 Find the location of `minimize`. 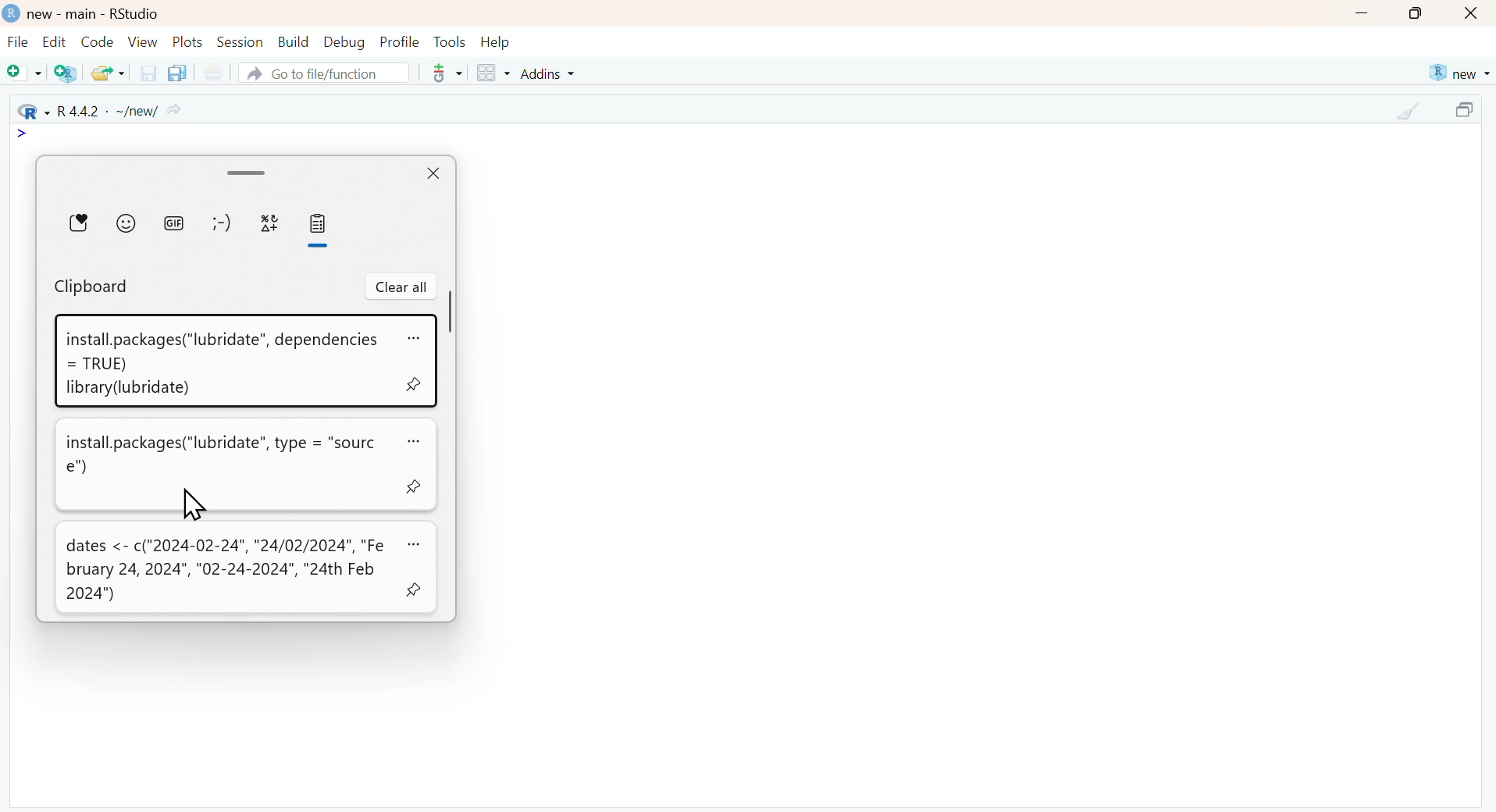

minimize is located at coordinates (1361, 15).